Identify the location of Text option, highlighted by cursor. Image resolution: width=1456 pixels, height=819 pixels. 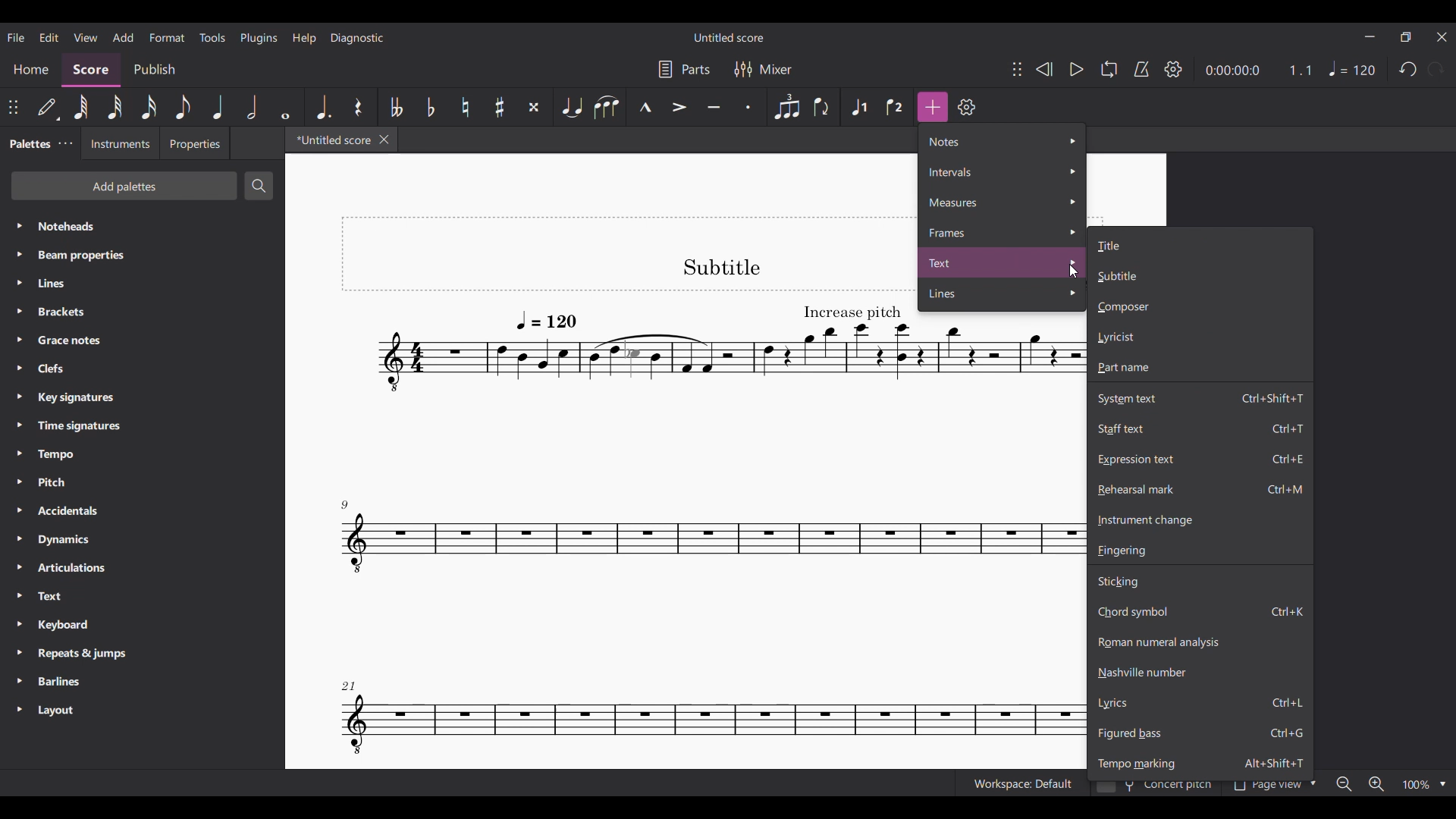
(1003, 262).